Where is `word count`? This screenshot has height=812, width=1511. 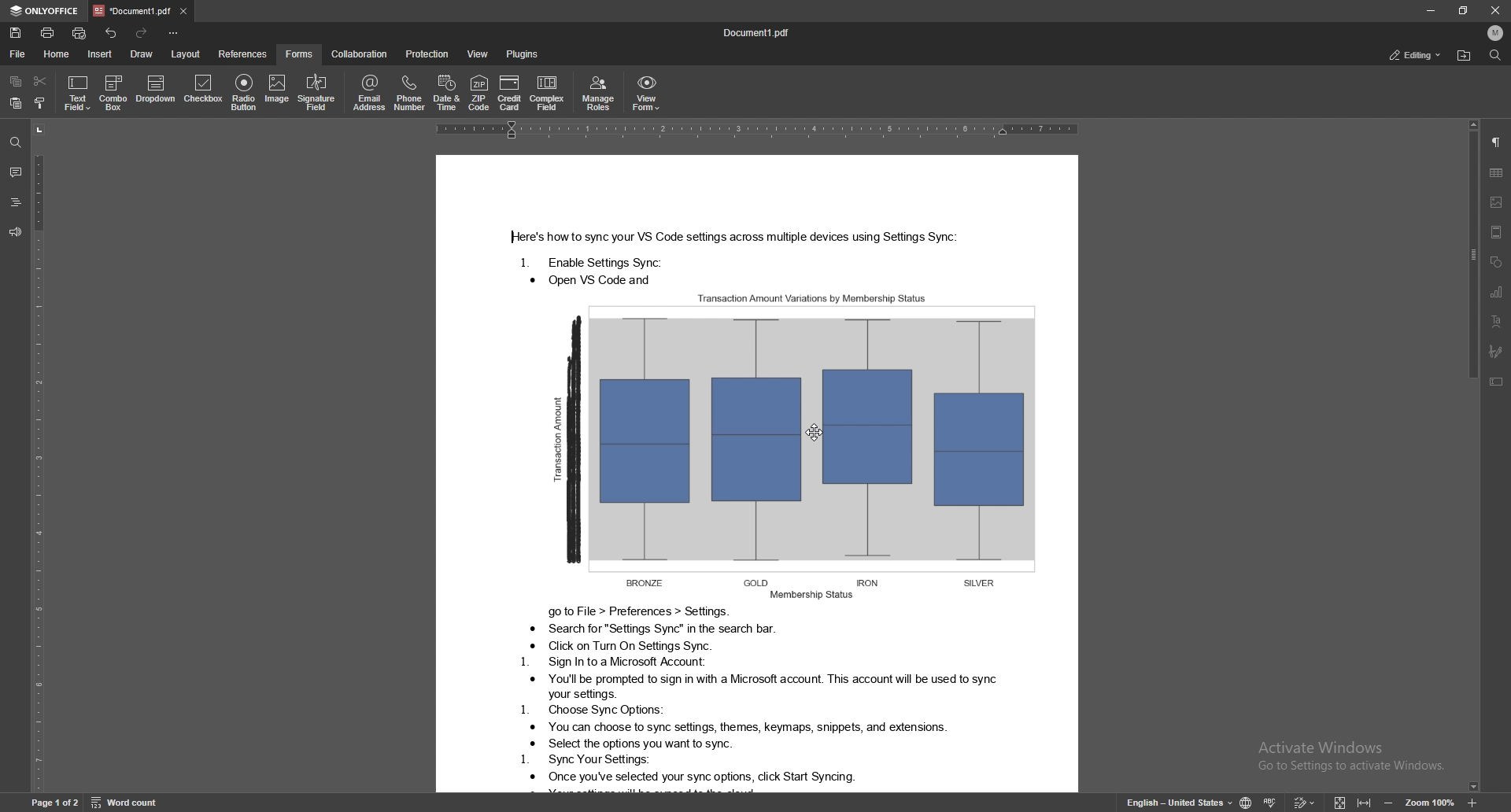
word count is located at coordinates (125, 802).